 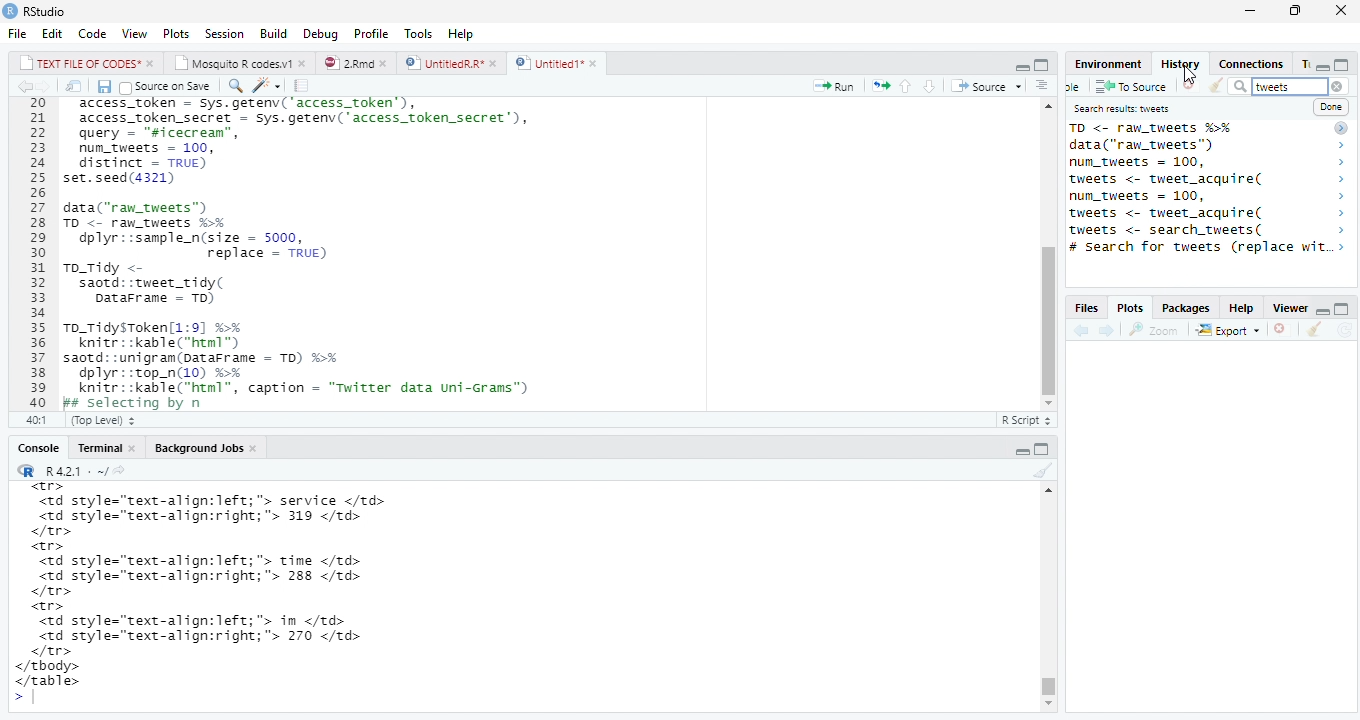 What do you see at coordinates (929, 85) in the screenshot?
I see `up/down source` at bounding box center [929, 85].